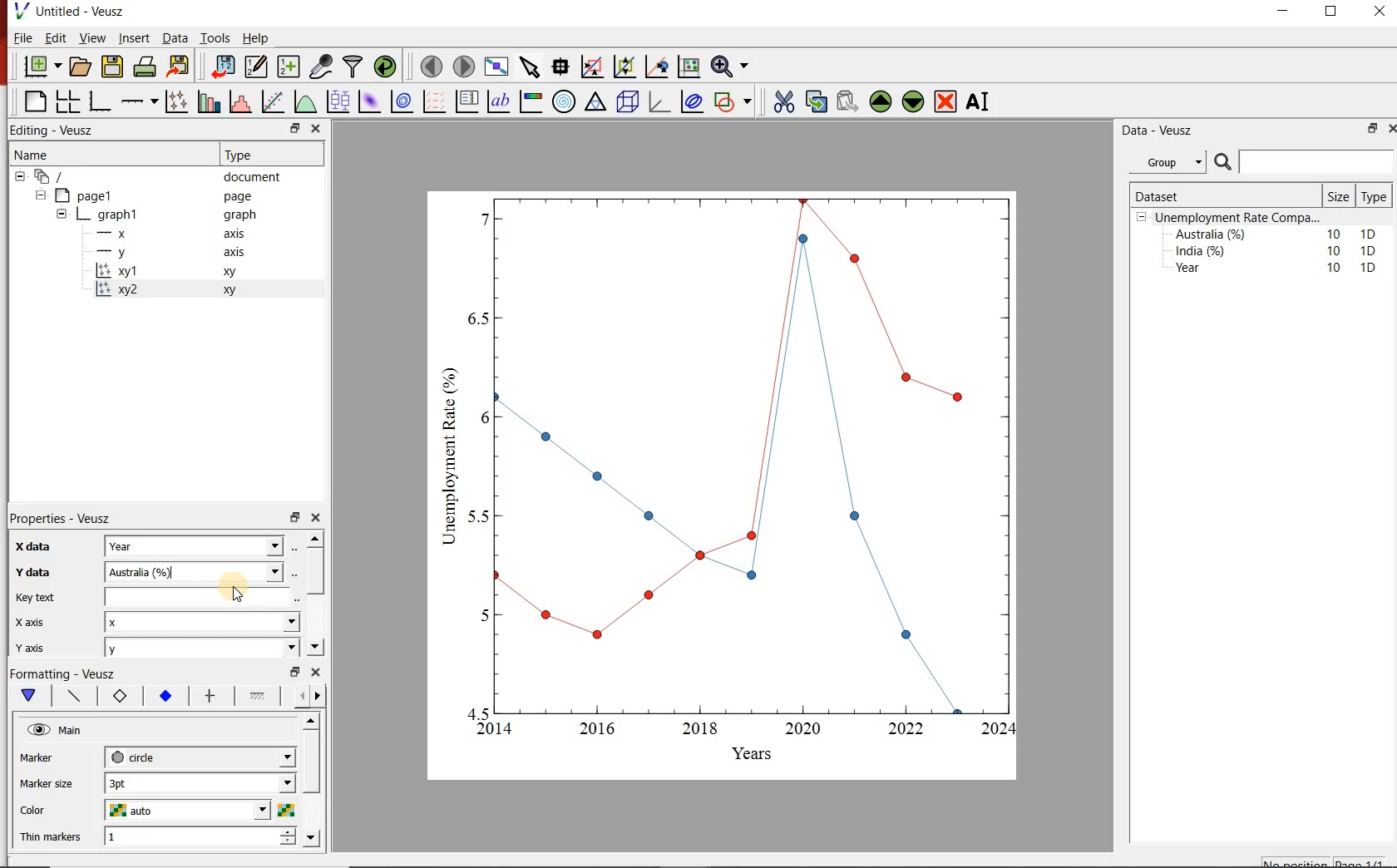 This screenshot has width=1397, height=868. I want to click on click to zoom out graph axes, so click(625, 65).